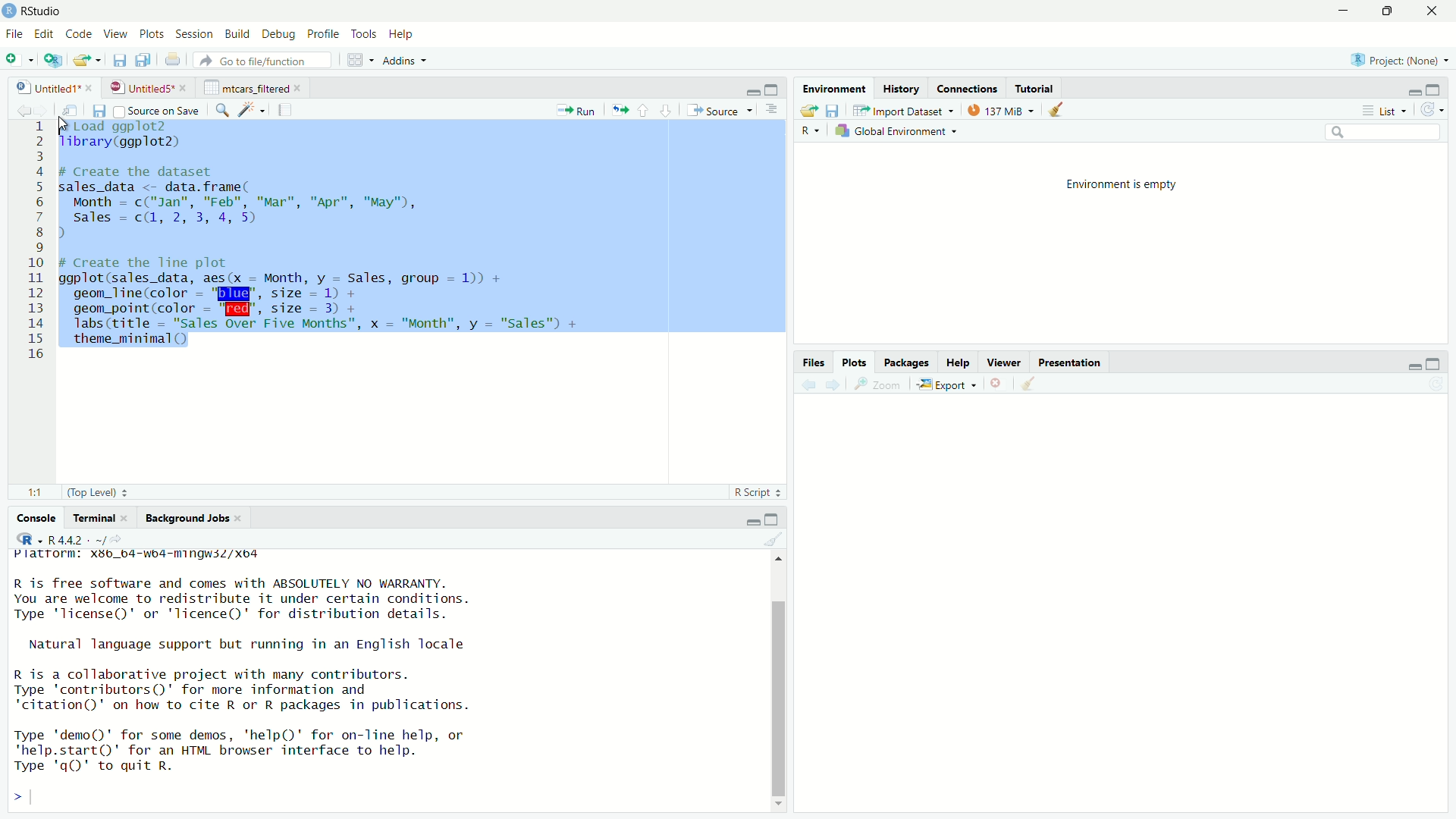 Image resolution: width=1456 pixels, height=819 pixels. Describe the element at coordinates (325, 34) in the screenshot. I see `profile` at that location.